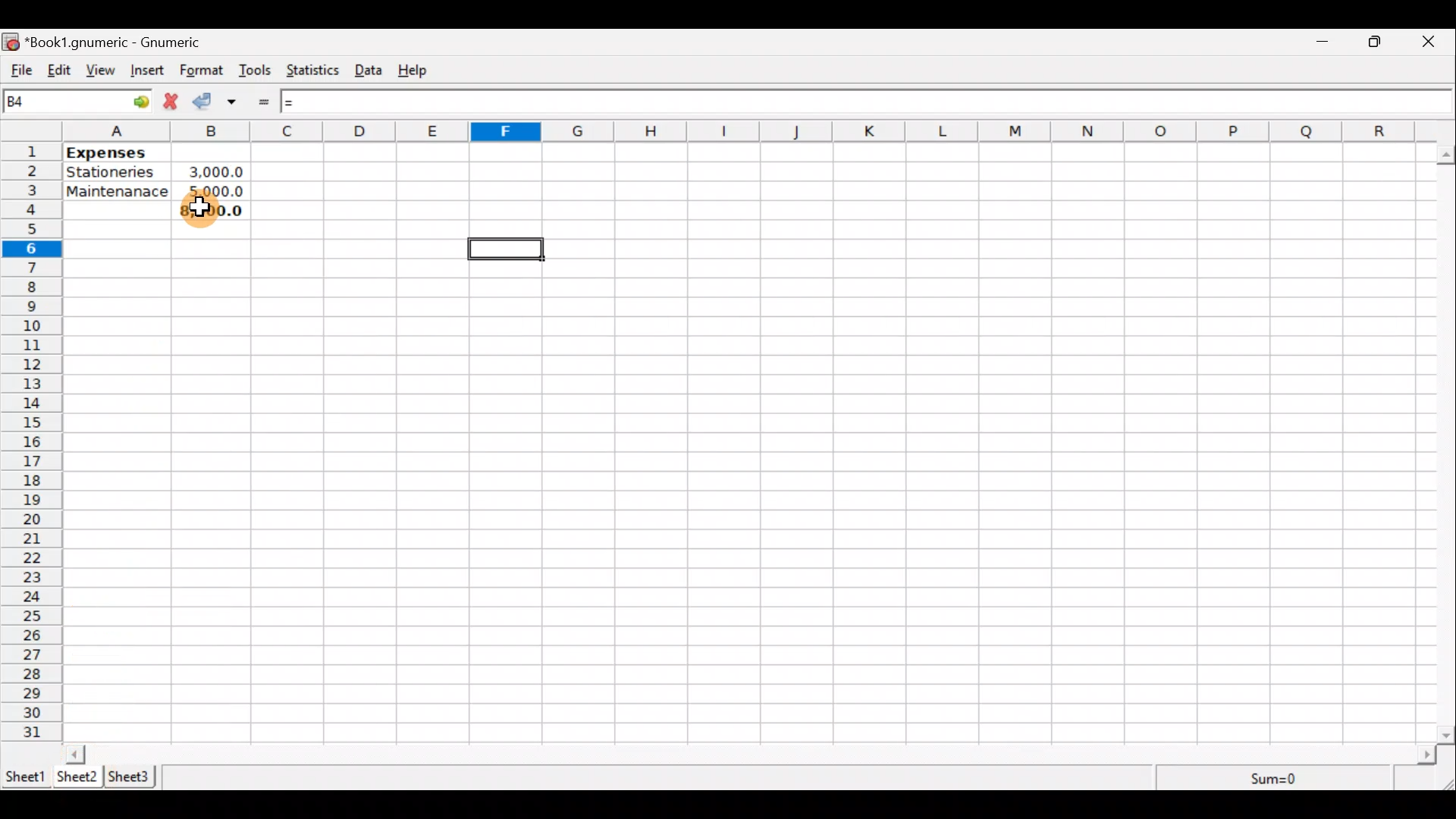  Describe the element at coordinates (507, 248) in the screenshot. I see `Selected cell` at that location.